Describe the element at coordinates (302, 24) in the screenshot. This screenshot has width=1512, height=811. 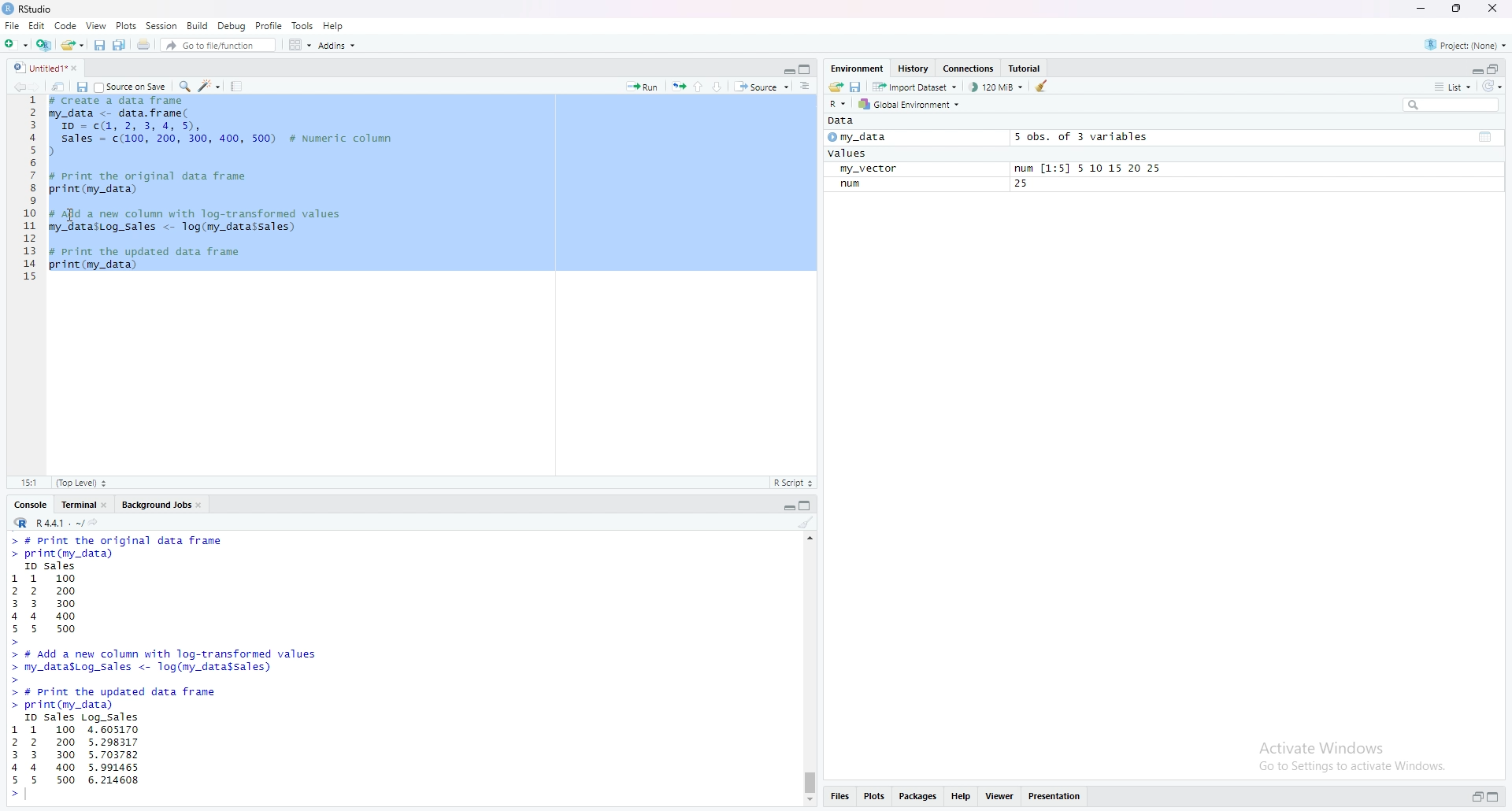
I see `Tools` at that location.